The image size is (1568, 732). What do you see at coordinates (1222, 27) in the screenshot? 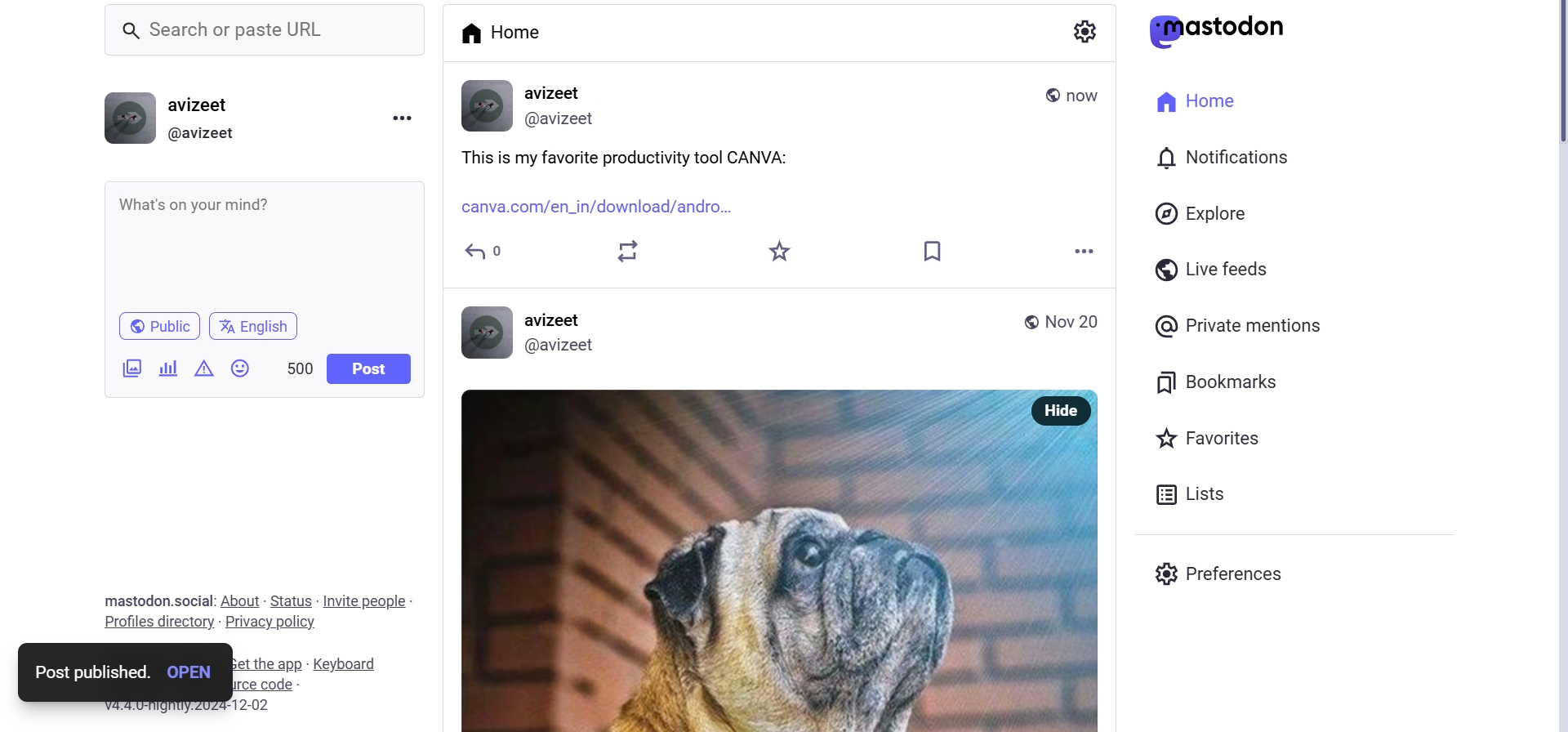
I see `mastodon` at bounding box center [1222, 27].